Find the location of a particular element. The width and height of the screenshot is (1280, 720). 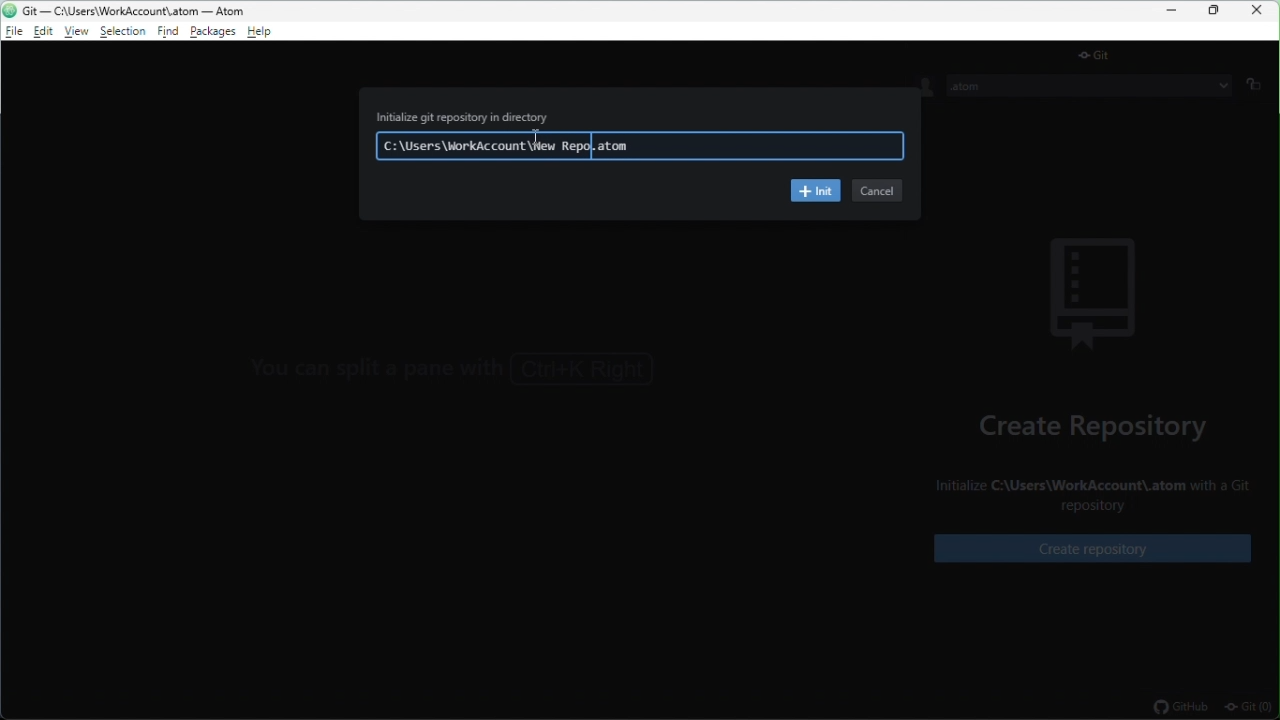

Initialize C:\Users\WorkAccount\.atom with a Git repository is located at coordinates (1087, 490).